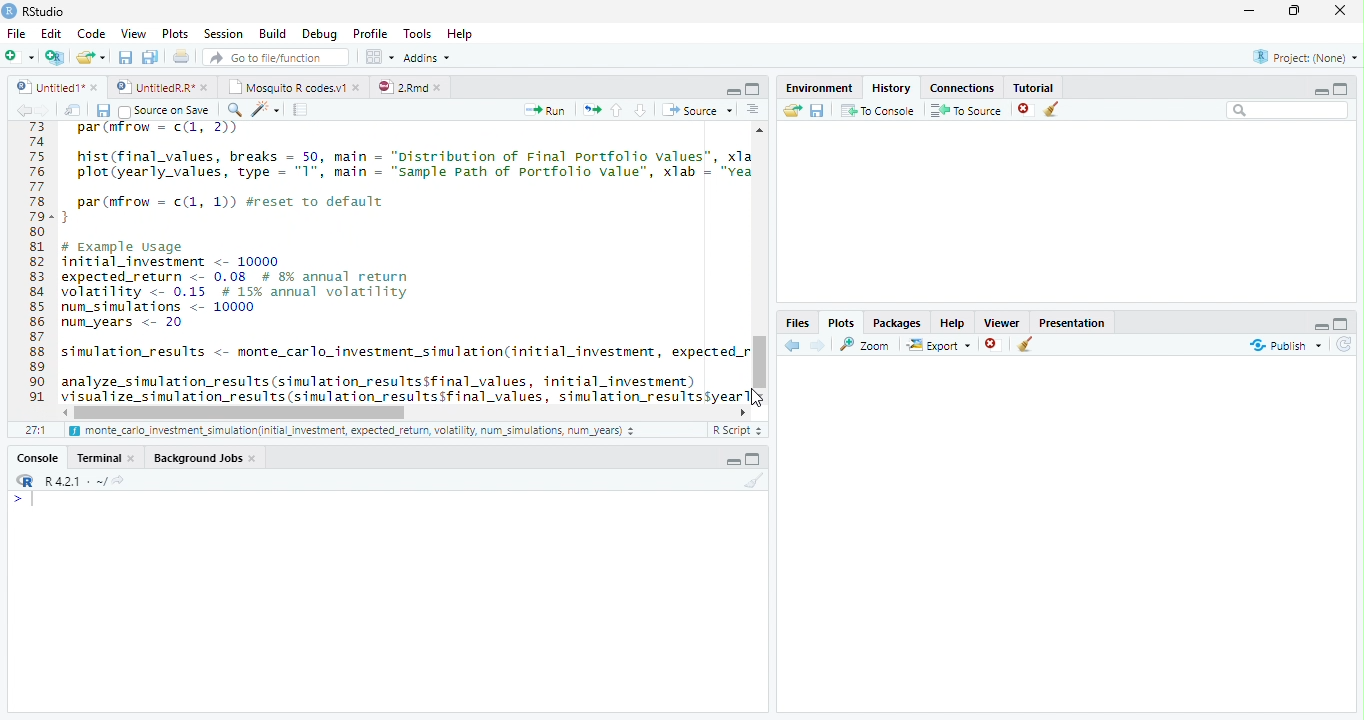 Image resolution: width=1364 pixels, height=720 pixels. What do you see at coordinates (1342, 12) in the screenshot?
I see `Close` at bounding box center [1342, 12].